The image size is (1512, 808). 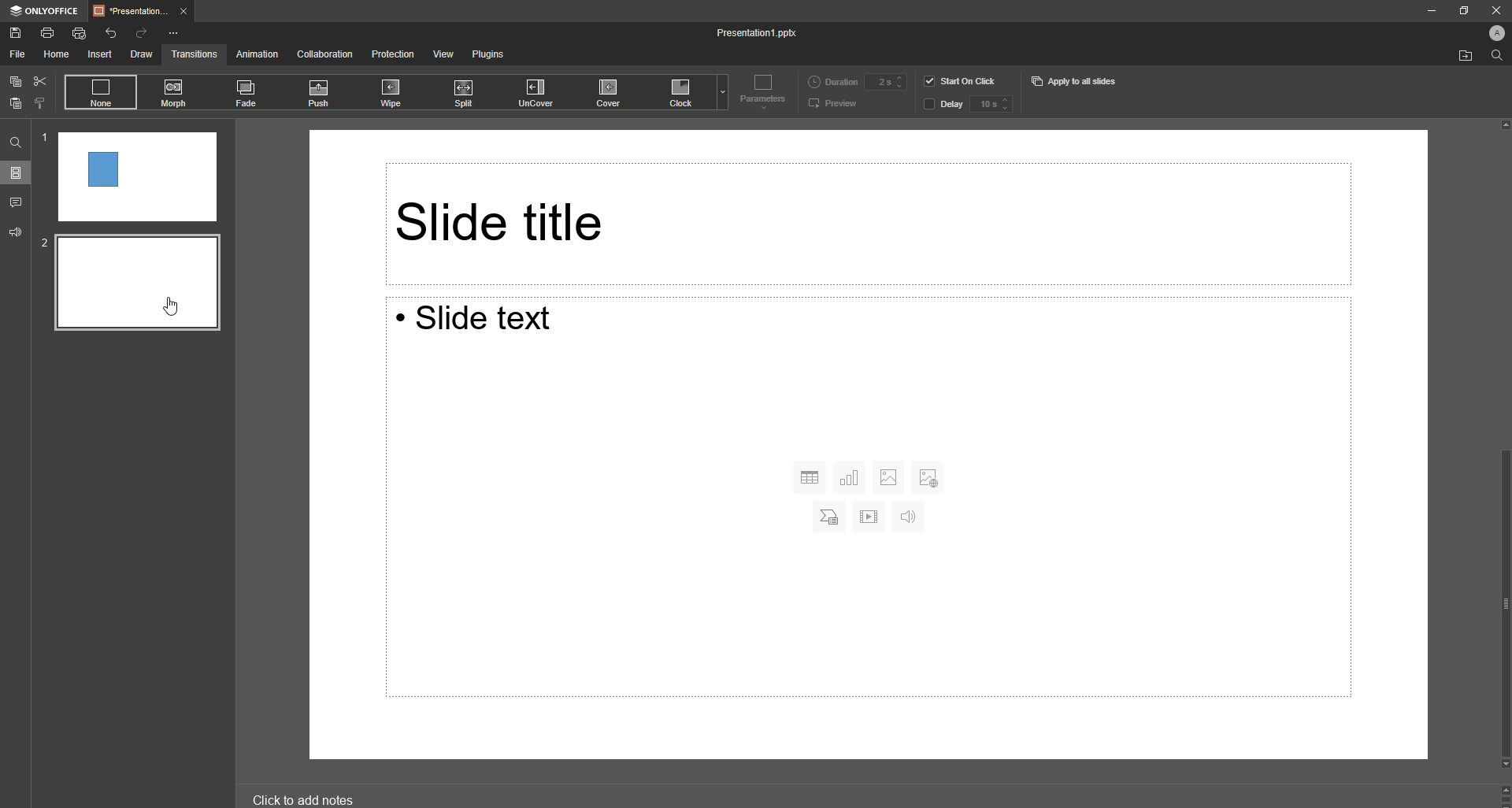 What do you see at coordinates (258, 54) in the screenshot?
I see `Animation` at bounding box center [258, 54].